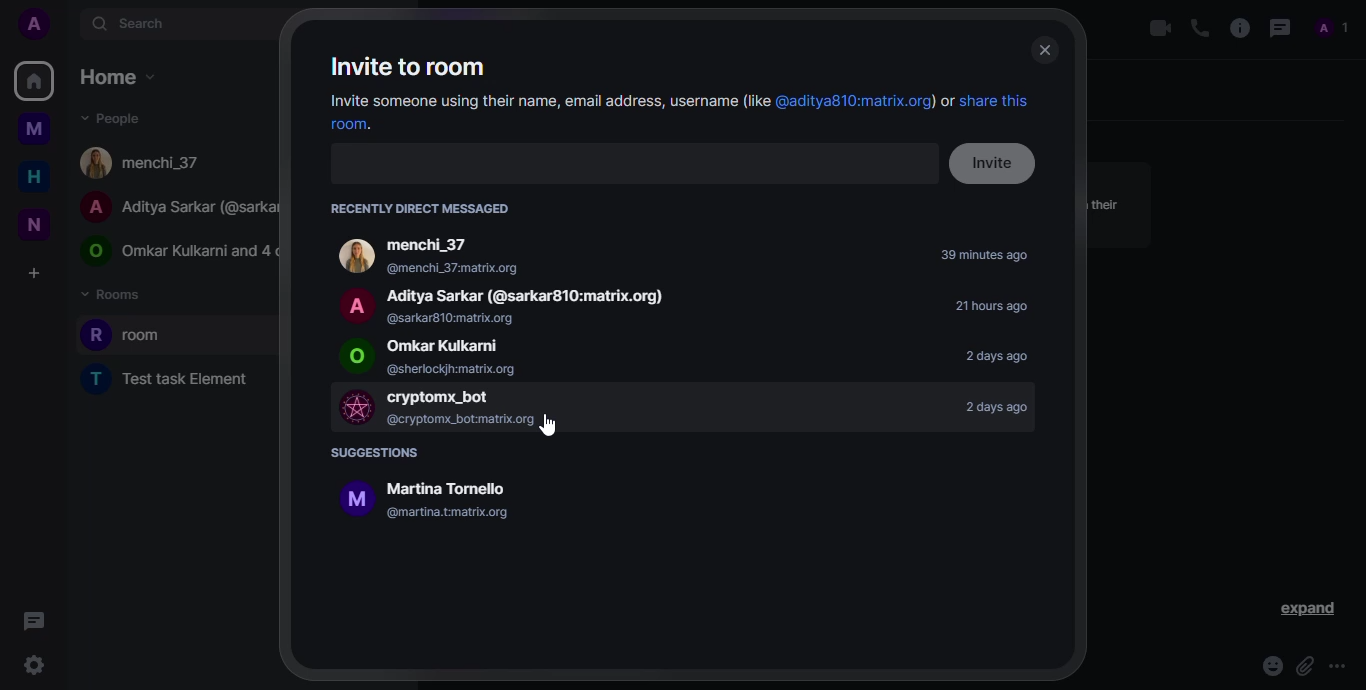 Image resolution: width=1366 pixels, height=690 pixels. What do you see at coordinates (996, 356) in the screenshot?
I see `2 days ago` at bounding box center [996, 356].